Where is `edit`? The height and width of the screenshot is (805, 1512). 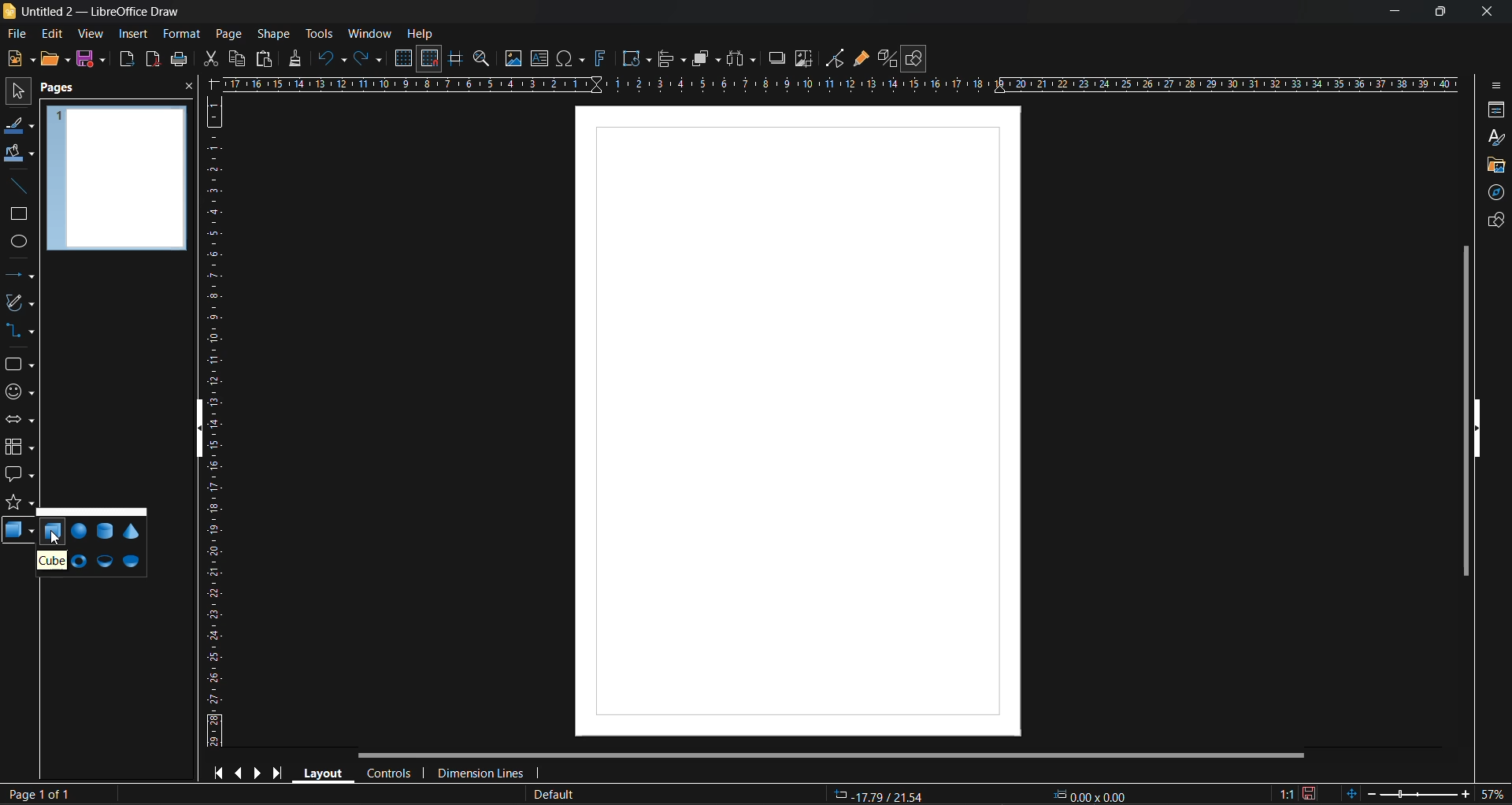 edit is located at coordinates (51, 32).